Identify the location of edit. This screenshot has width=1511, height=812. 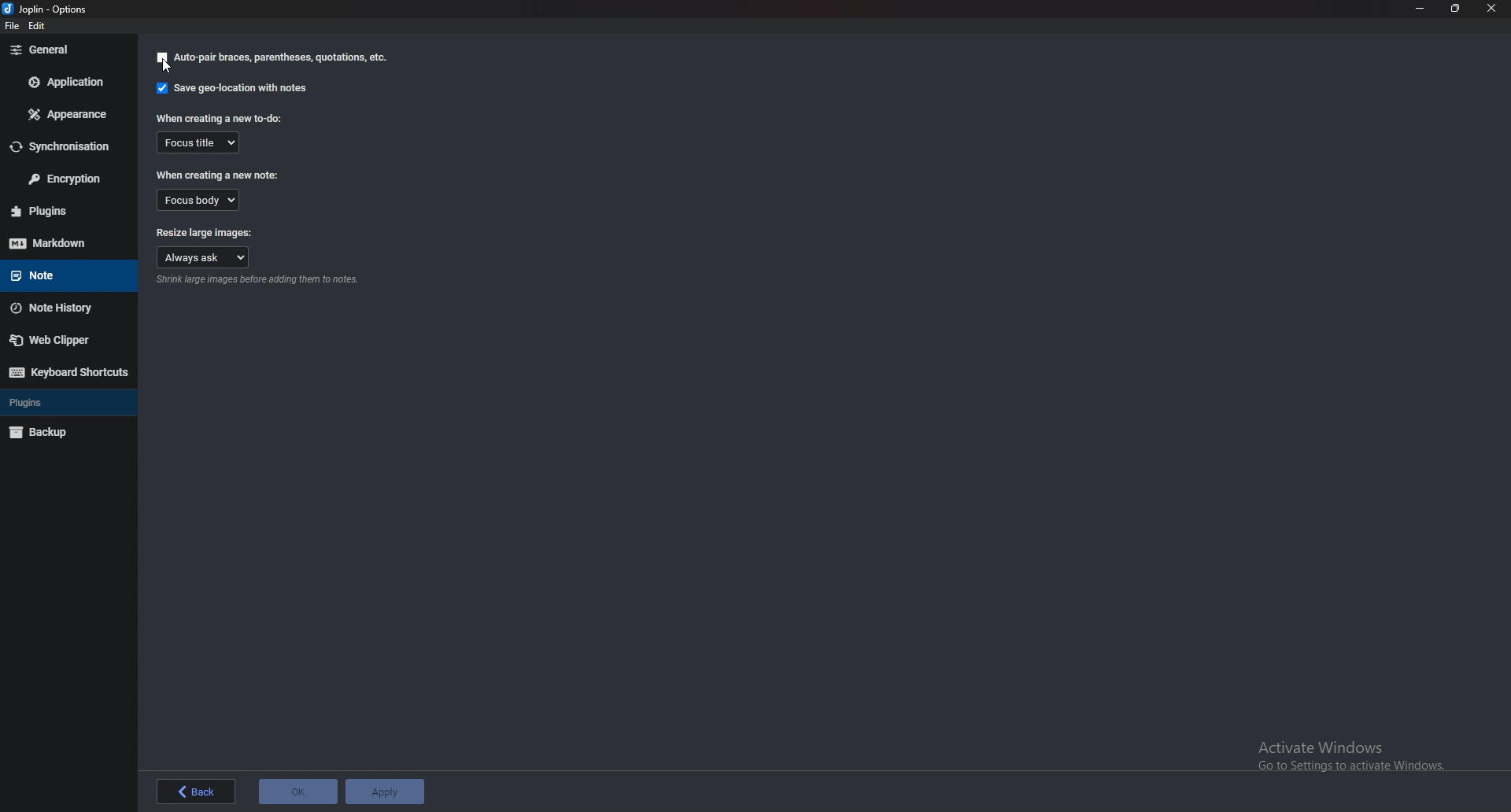
(44, 27).